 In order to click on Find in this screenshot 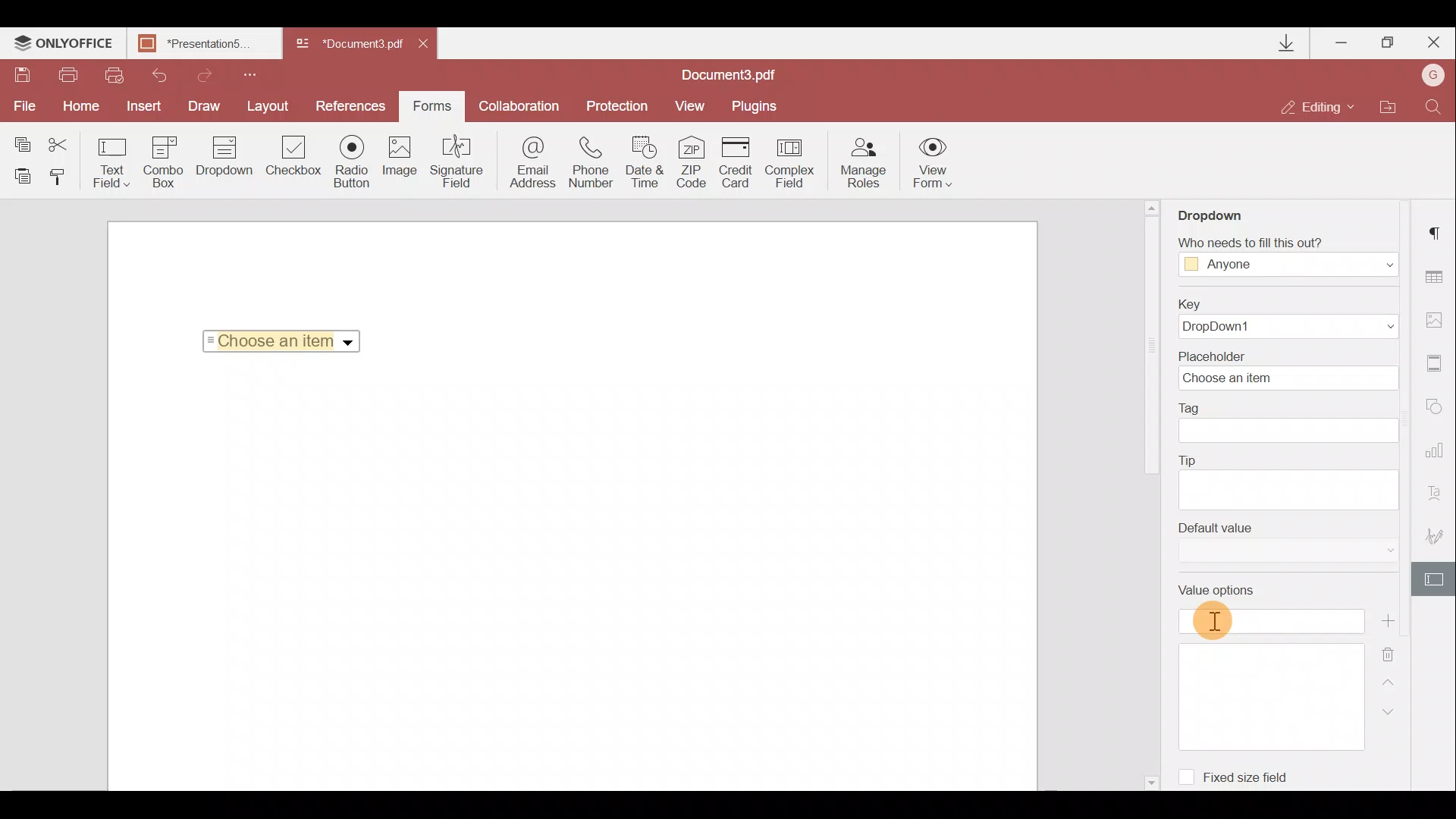, I will do `click(1434, 105)`.